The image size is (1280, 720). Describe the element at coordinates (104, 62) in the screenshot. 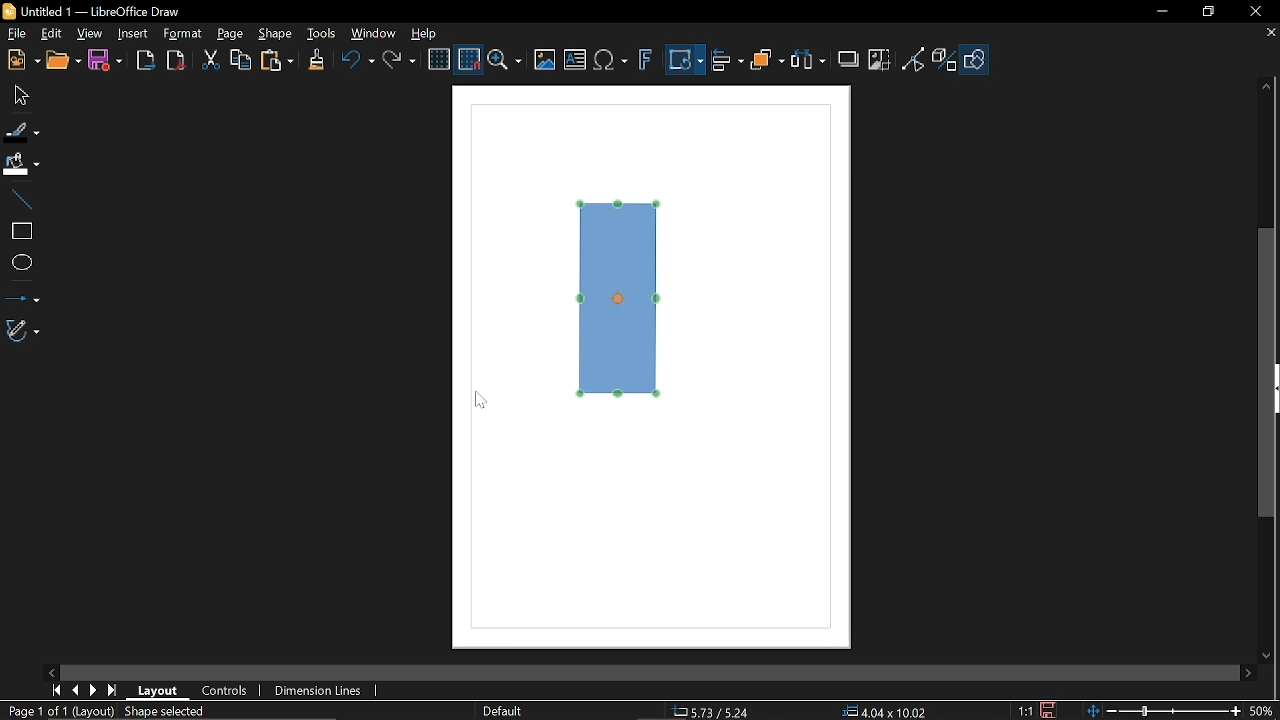

I see `Save` at that location.